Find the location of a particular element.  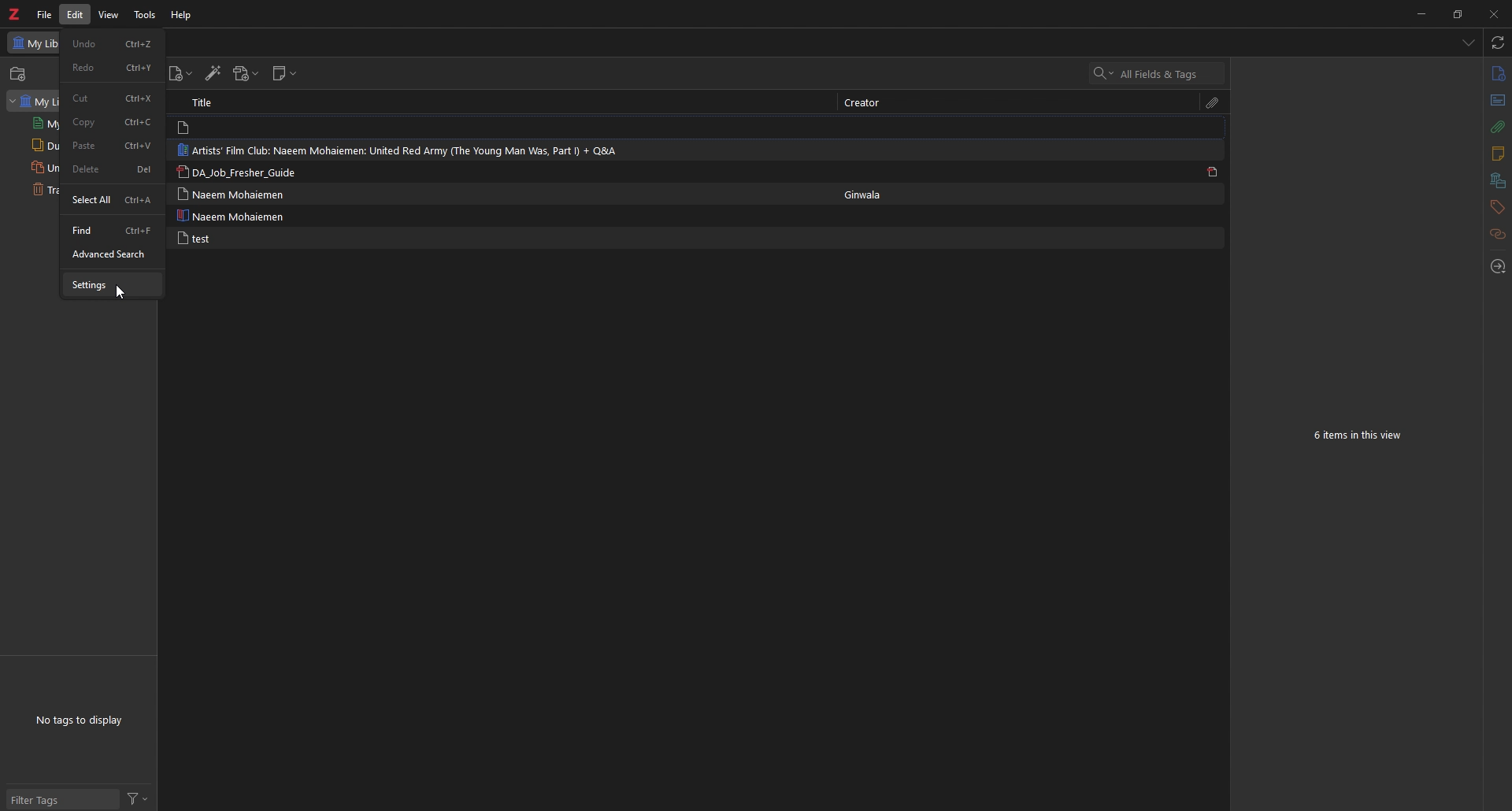

info is located at coordinates (1497, 74).